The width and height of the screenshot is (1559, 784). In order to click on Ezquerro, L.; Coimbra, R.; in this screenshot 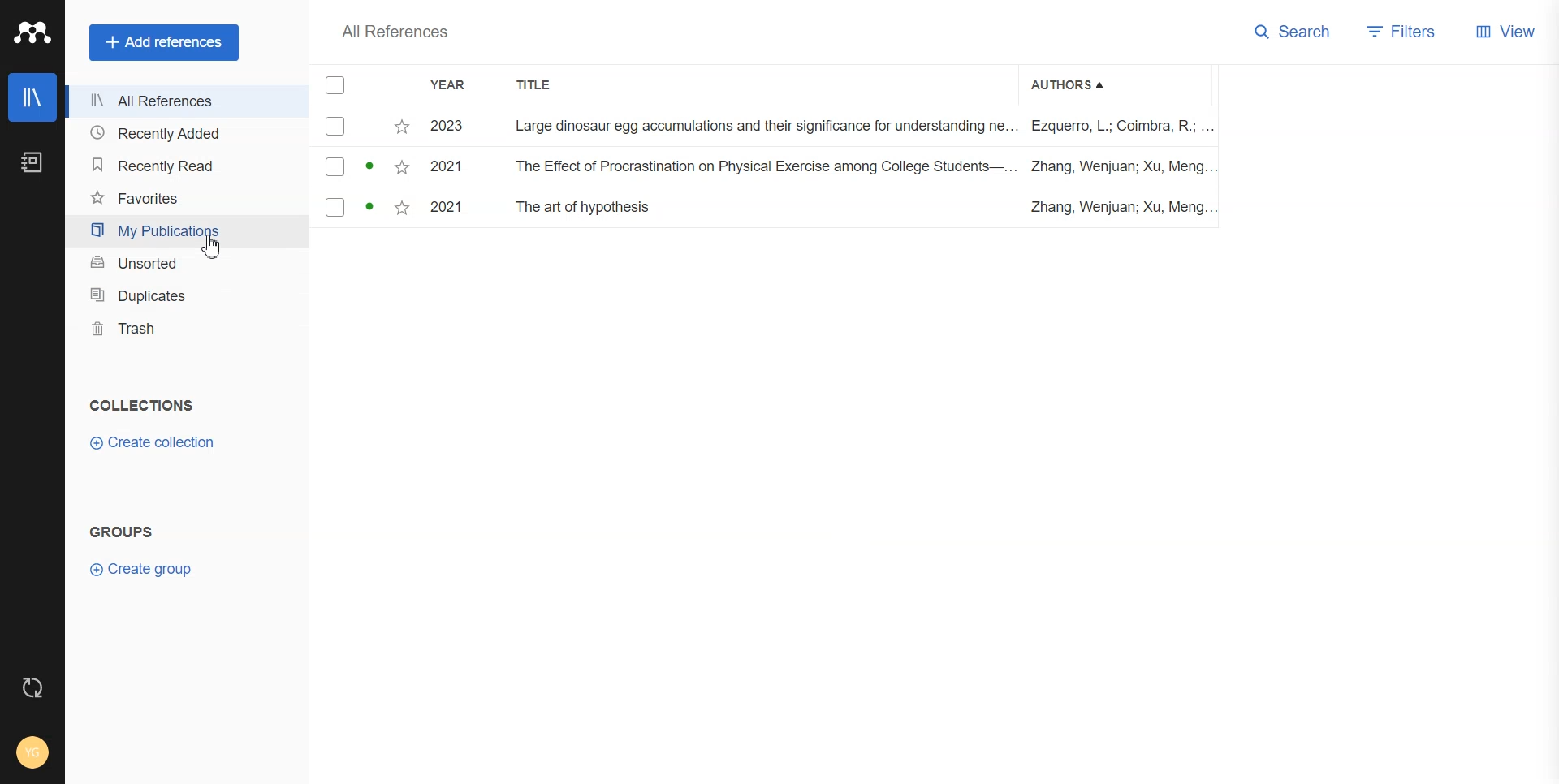, I will do `click(1119, 127)`.